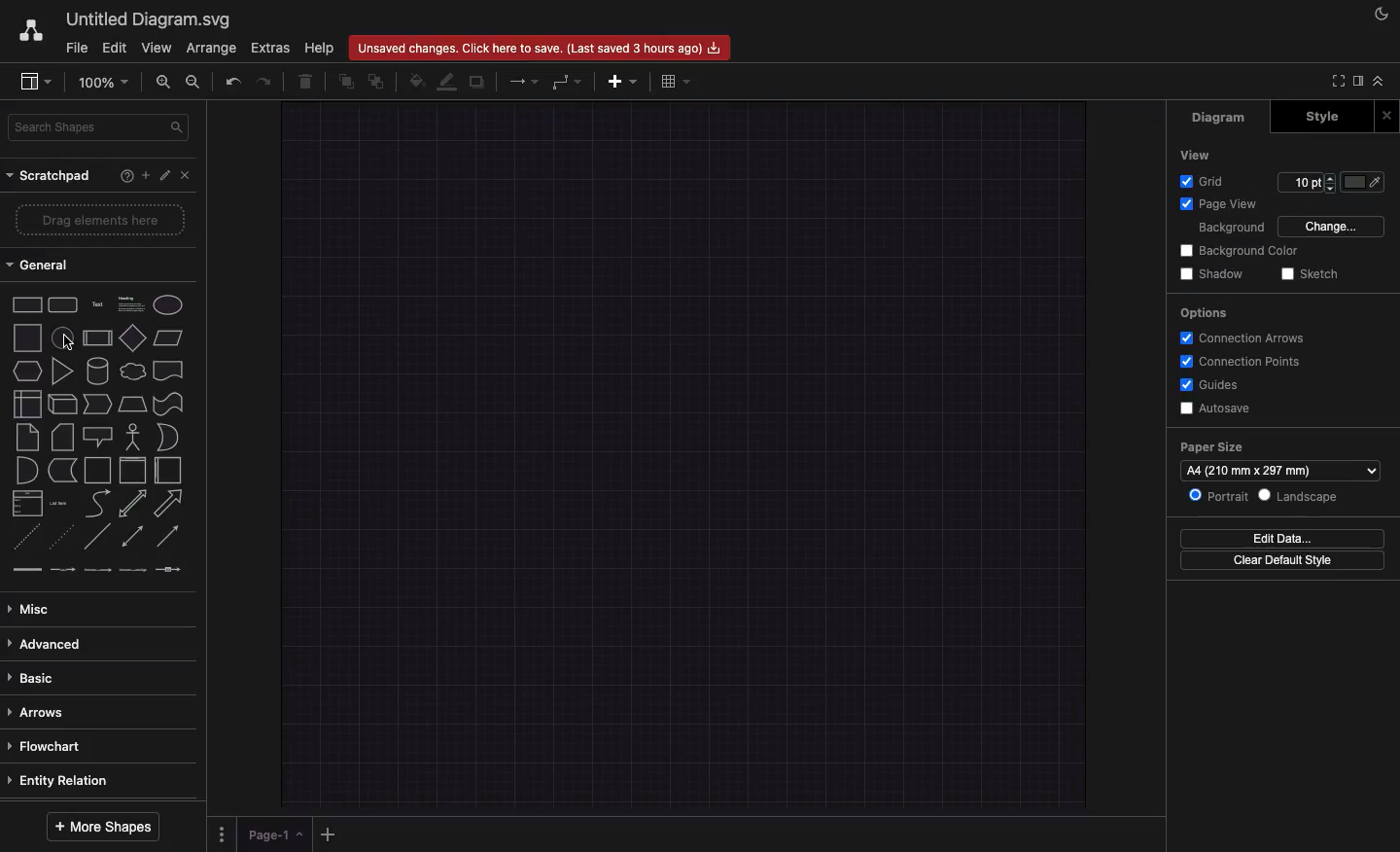  What do you see at coordinates (566, 82) in the screenshot?
I see `Waypoints ` at bounding box center [566, 82].